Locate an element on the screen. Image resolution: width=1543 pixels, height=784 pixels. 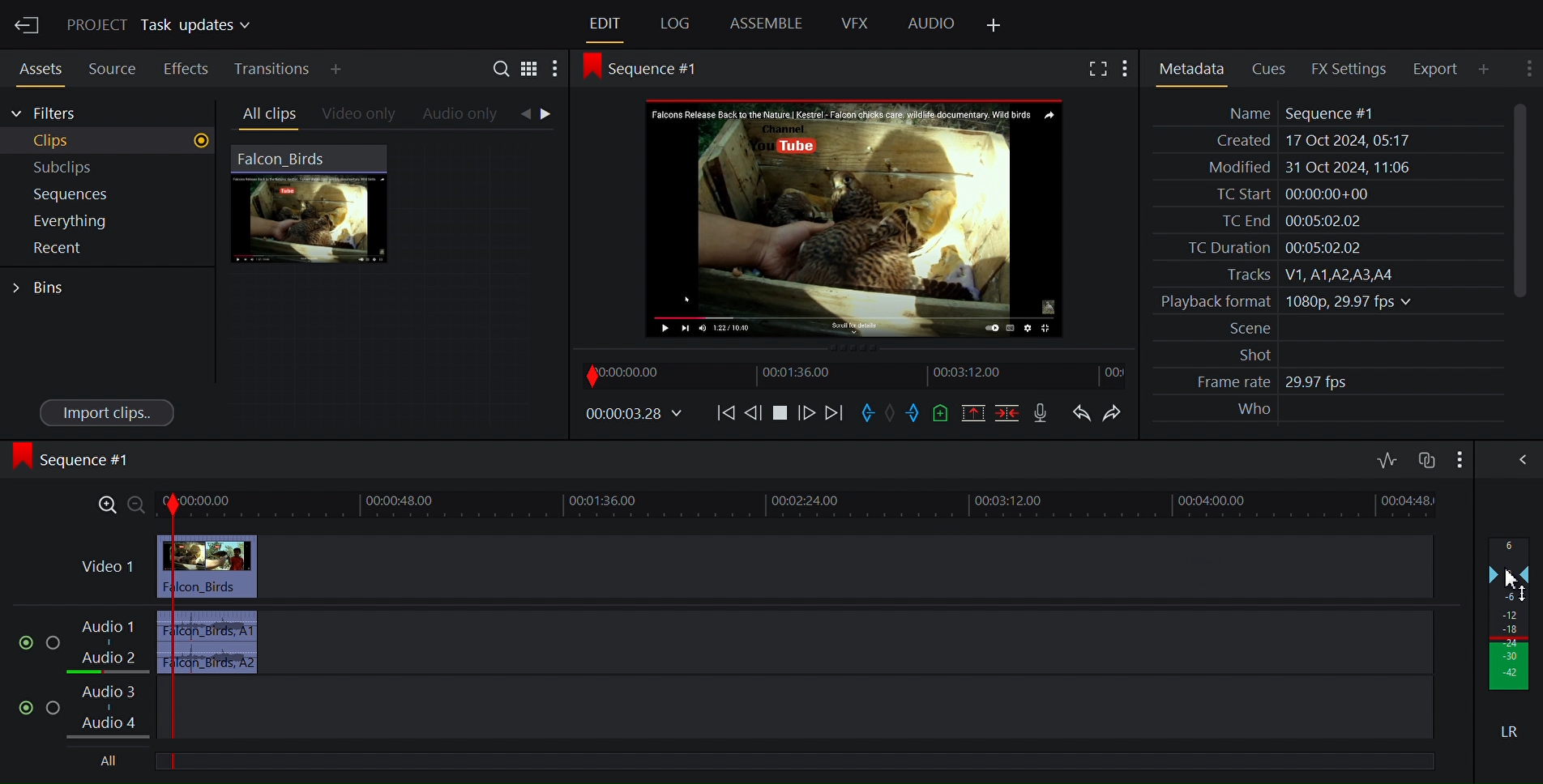
All is located at coordinates (107, 762).